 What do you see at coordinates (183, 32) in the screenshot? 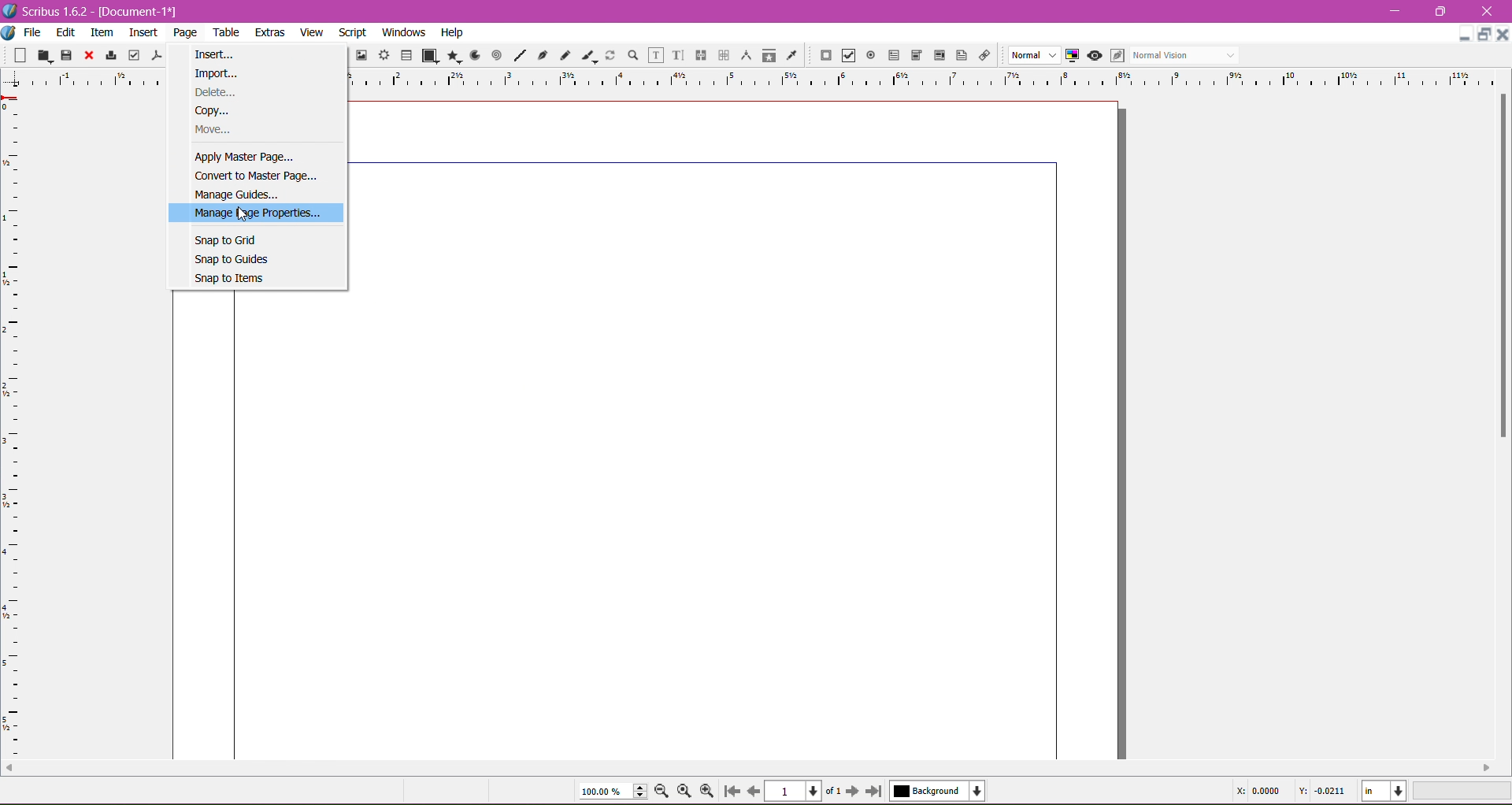
I see `Page` at bounding box center [183, 32].